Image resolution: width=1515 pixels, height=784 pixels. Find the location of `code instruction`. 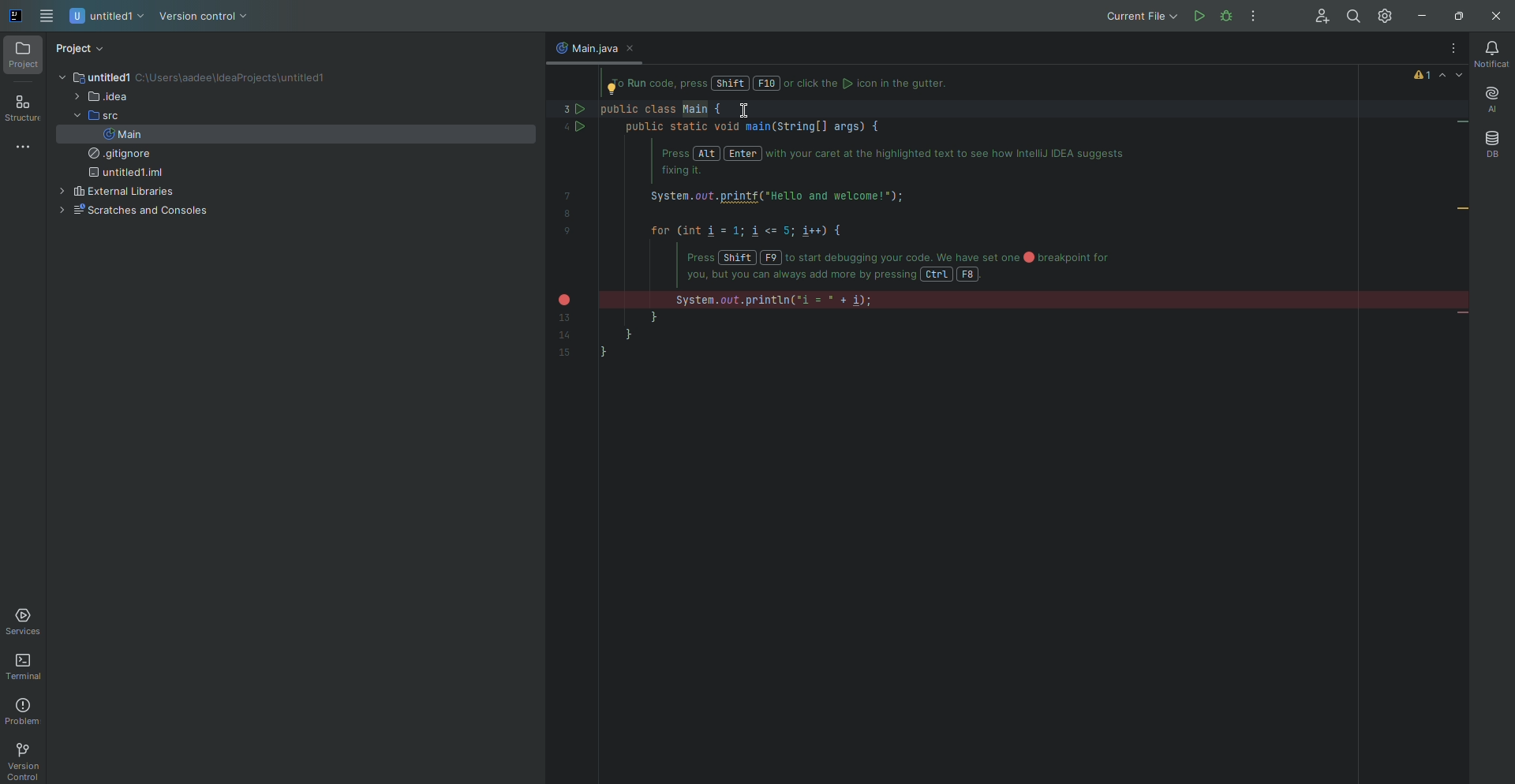

code instruction is located at coordinates (791, 84).